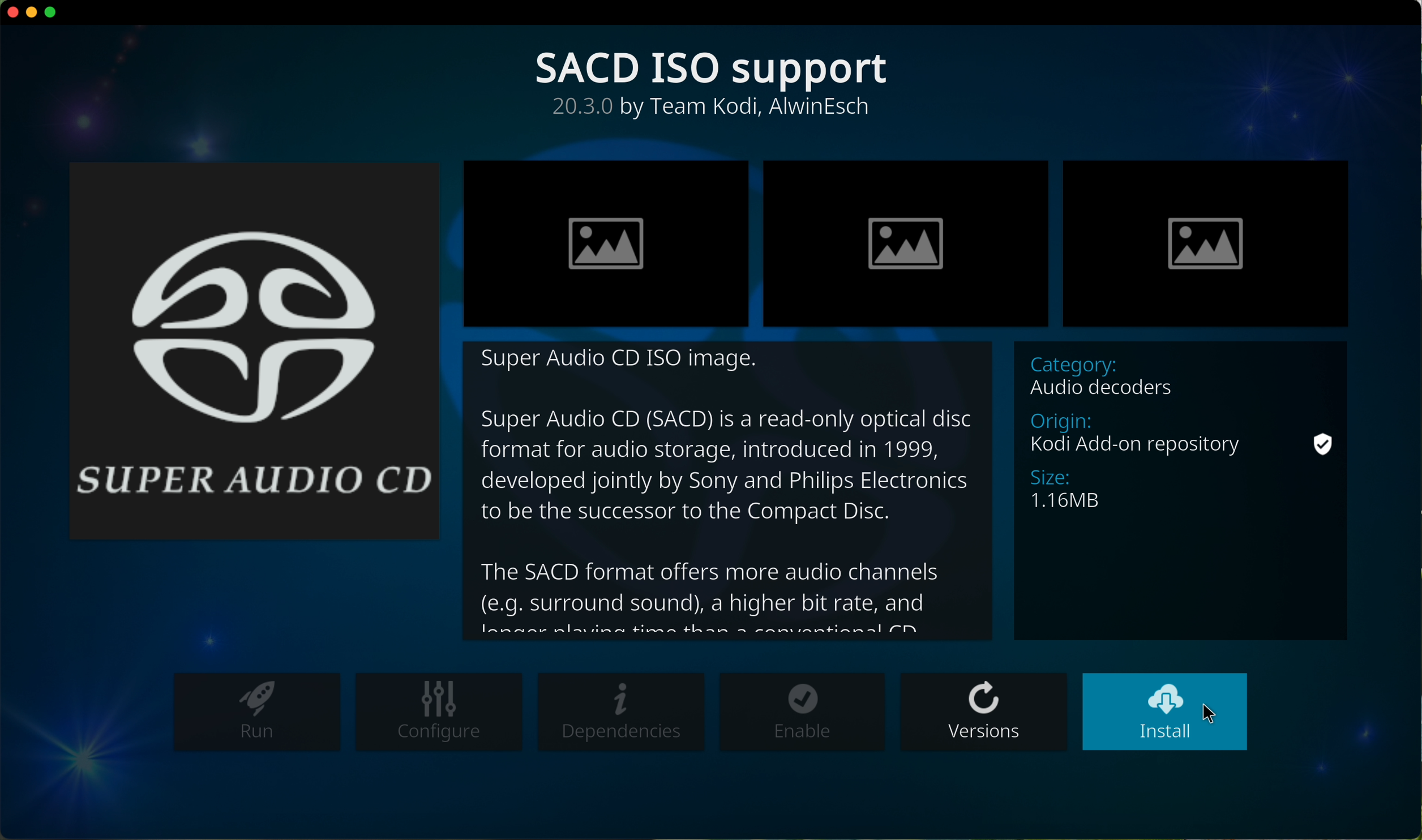  I want to click on description, so click(714, 110).